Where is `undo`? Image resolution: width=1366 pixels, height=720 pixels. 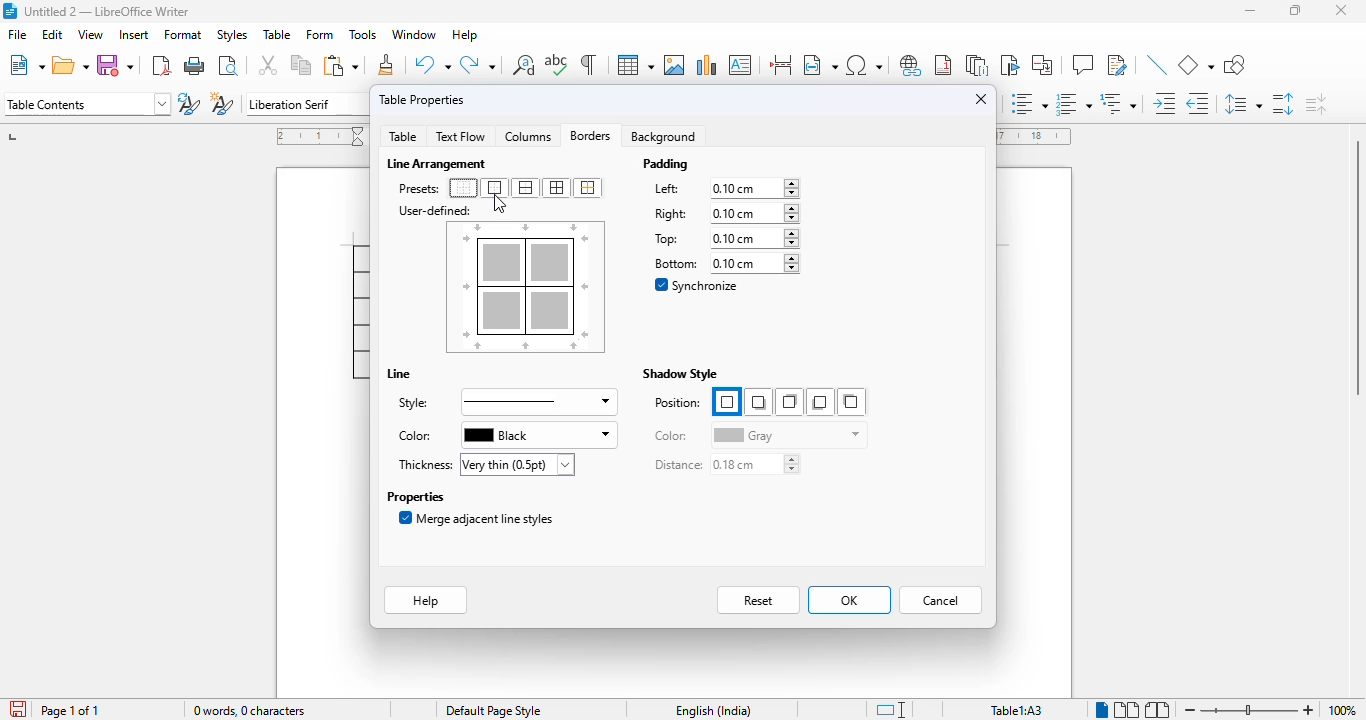
undo is located at coordinates (433, 64).